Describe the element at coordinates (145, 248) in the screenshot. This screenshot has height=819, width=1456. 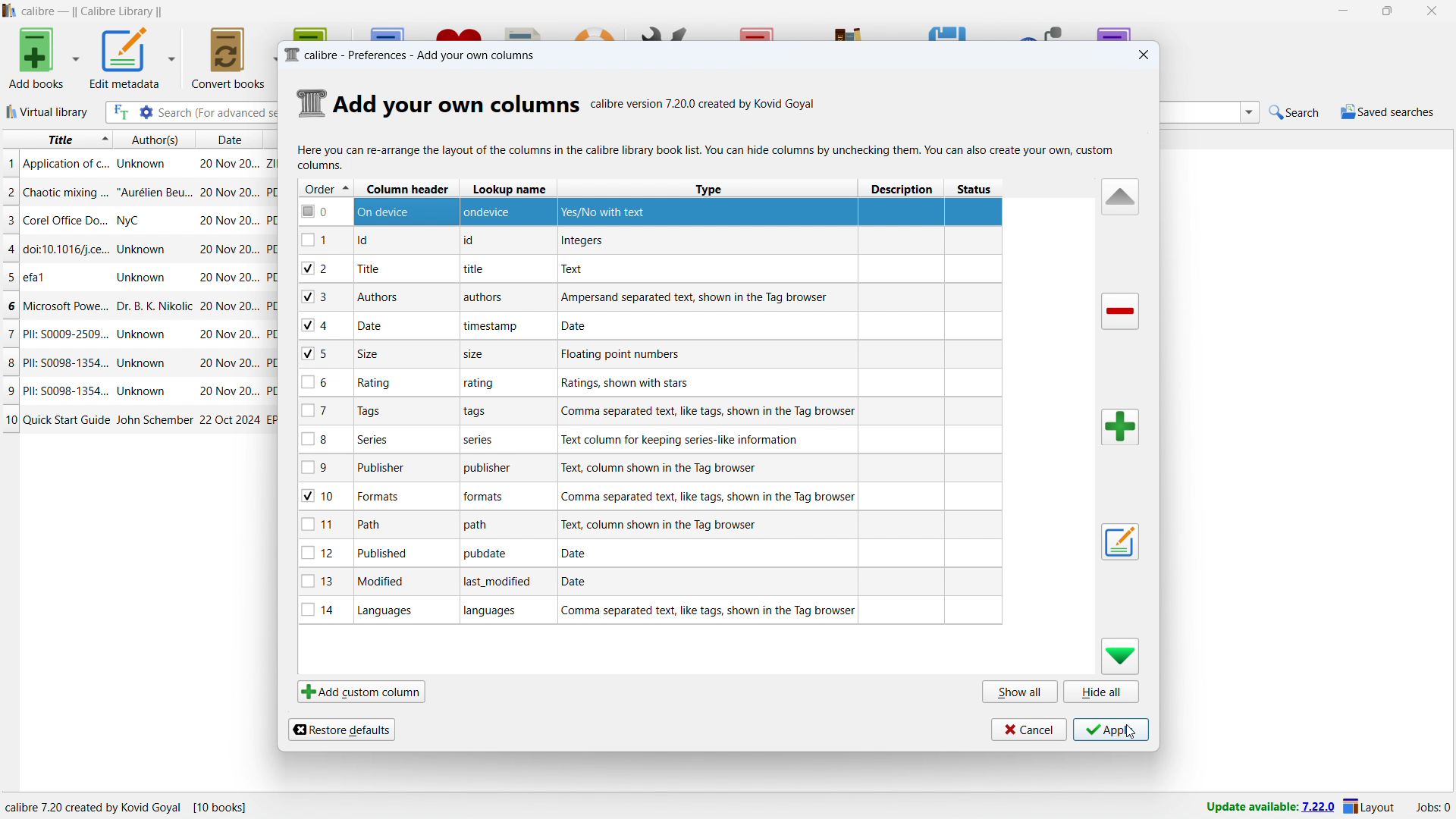
I see `author` at that location.